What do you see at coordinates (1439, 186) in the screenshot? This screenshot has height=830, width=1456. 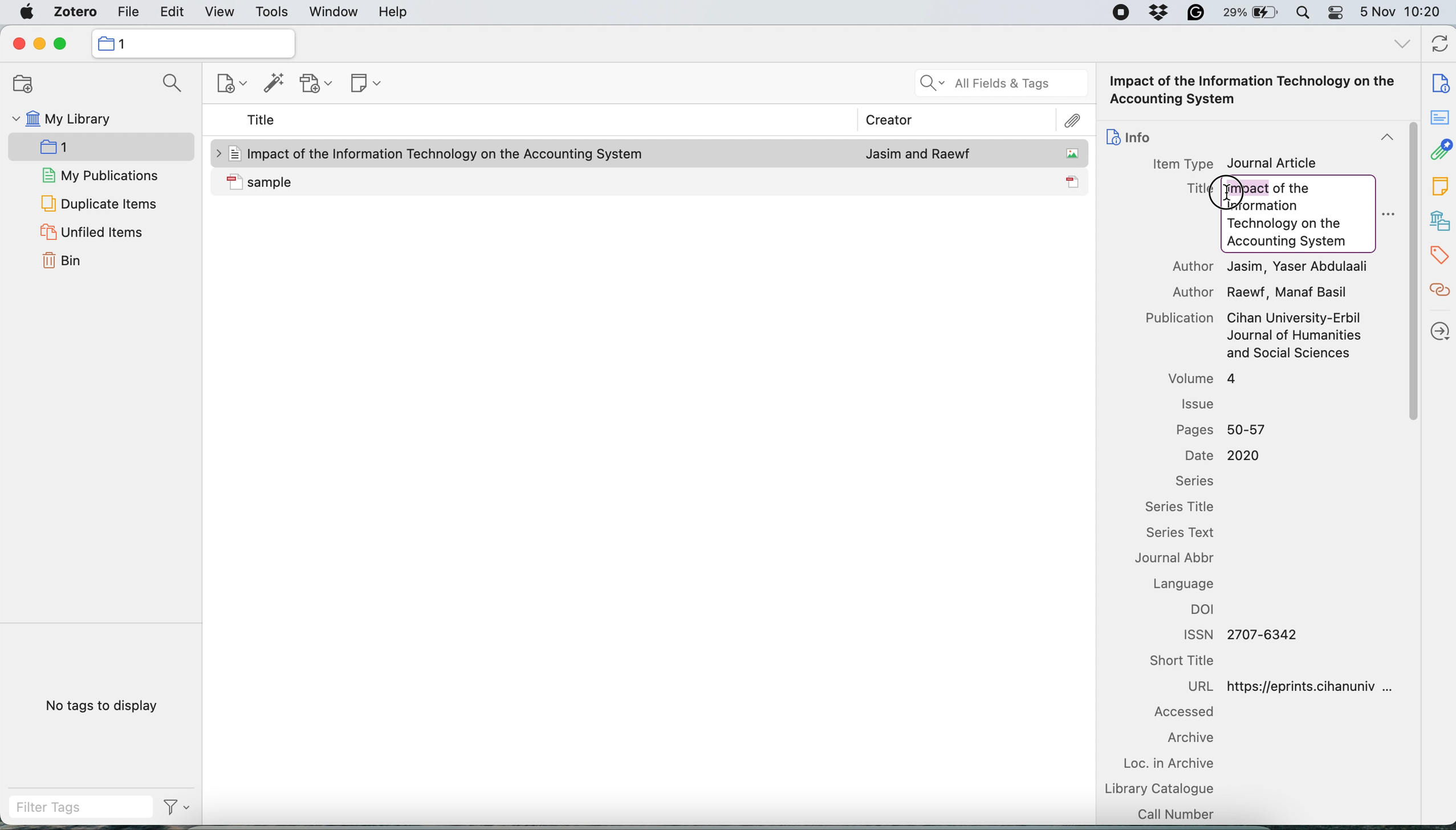 I see `note` at bounding box center [1439, 186].